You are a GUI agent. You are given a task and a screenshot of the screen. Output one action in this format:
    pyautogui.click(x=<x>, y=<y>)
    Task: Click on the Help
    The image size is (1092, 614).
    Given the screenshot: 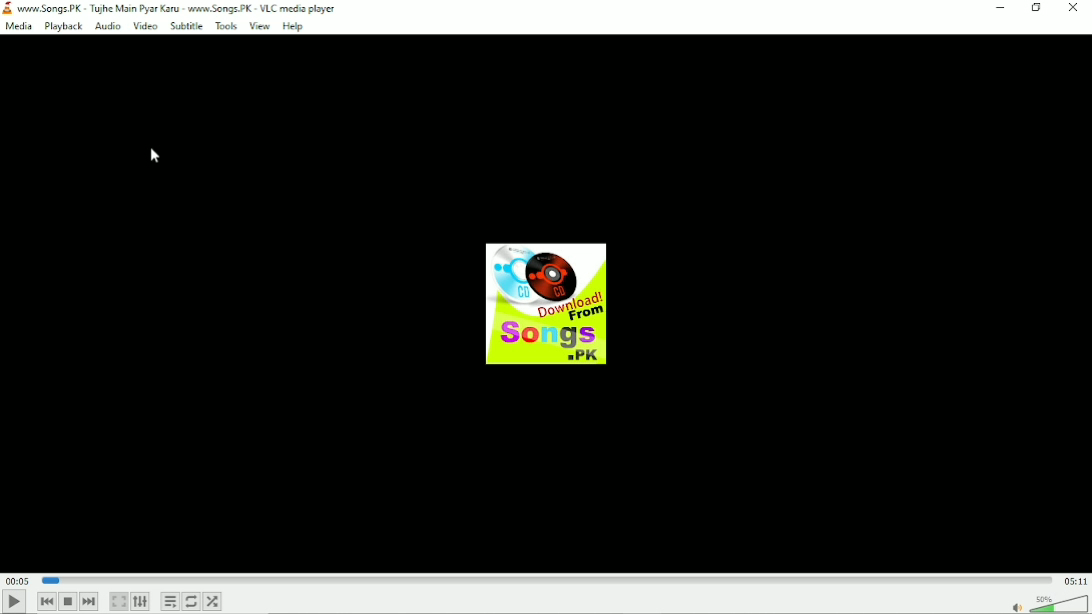 What is the action you would take?
    pyautogui.click(x=294, y=26)
    